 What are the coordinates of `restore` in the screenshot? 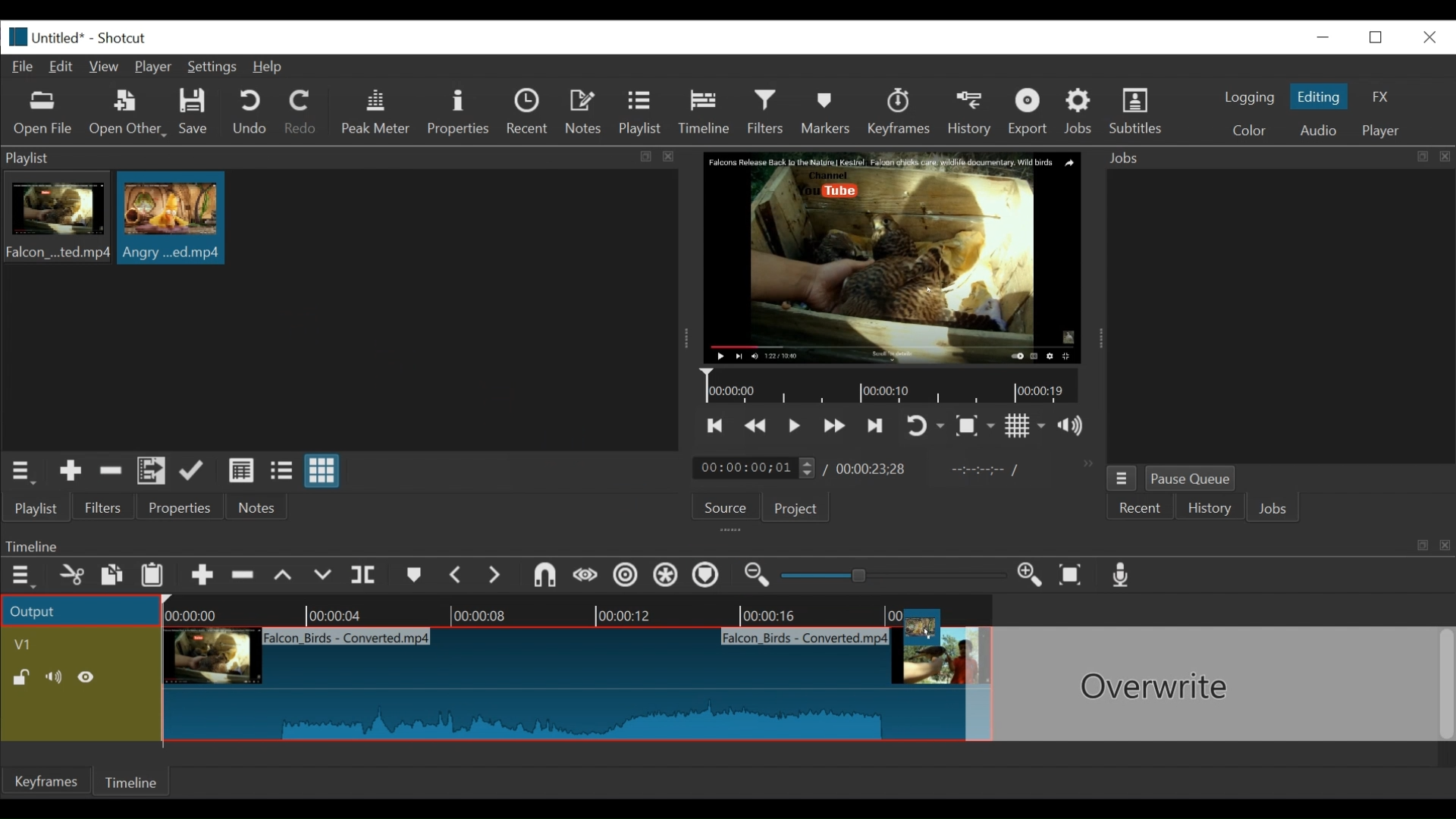 It's located at (1380, 36).